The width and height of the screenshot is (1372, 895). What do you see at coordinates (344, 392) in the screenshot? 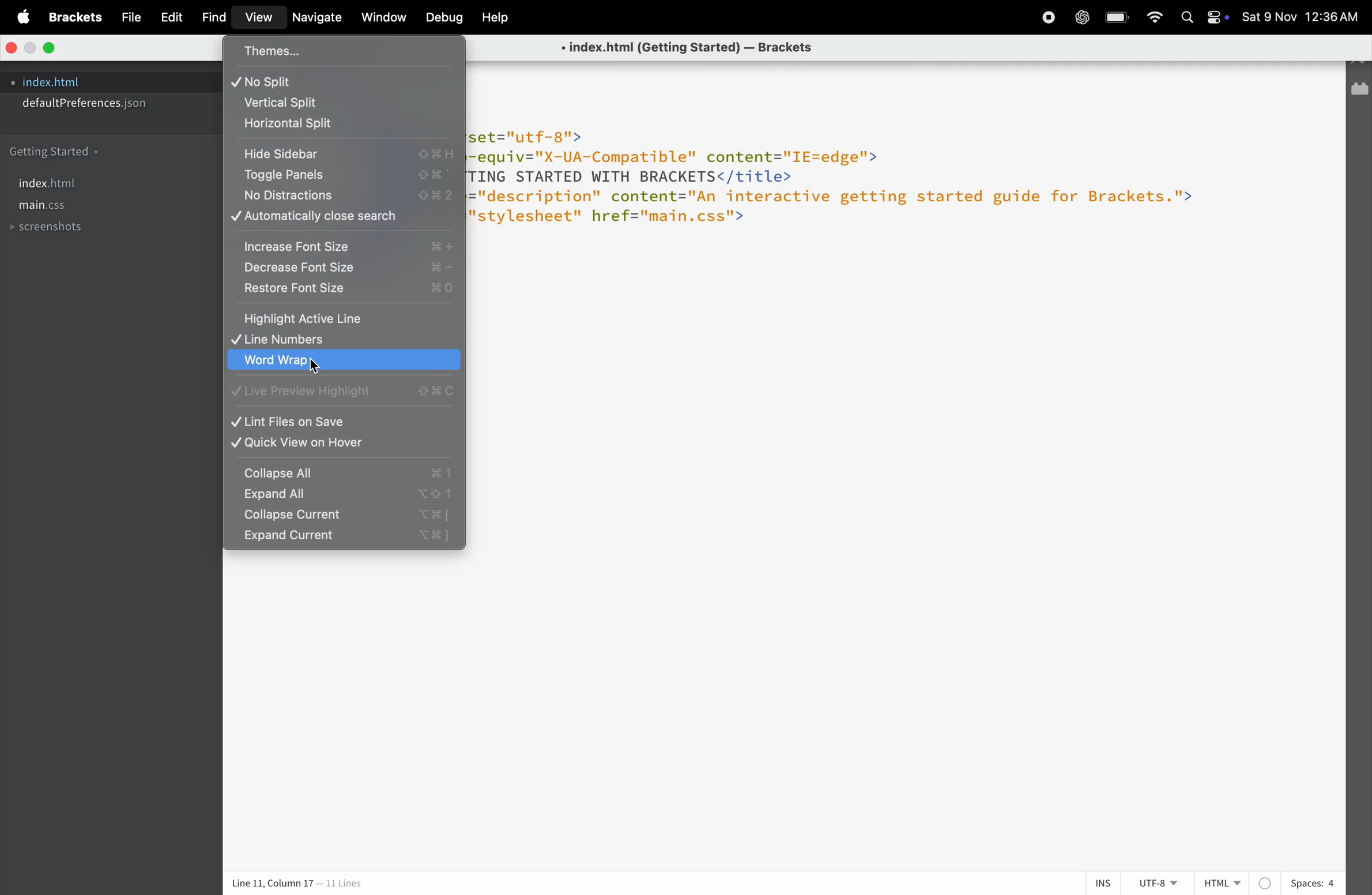
I see `line prview height` at bounding box center [344, 392].